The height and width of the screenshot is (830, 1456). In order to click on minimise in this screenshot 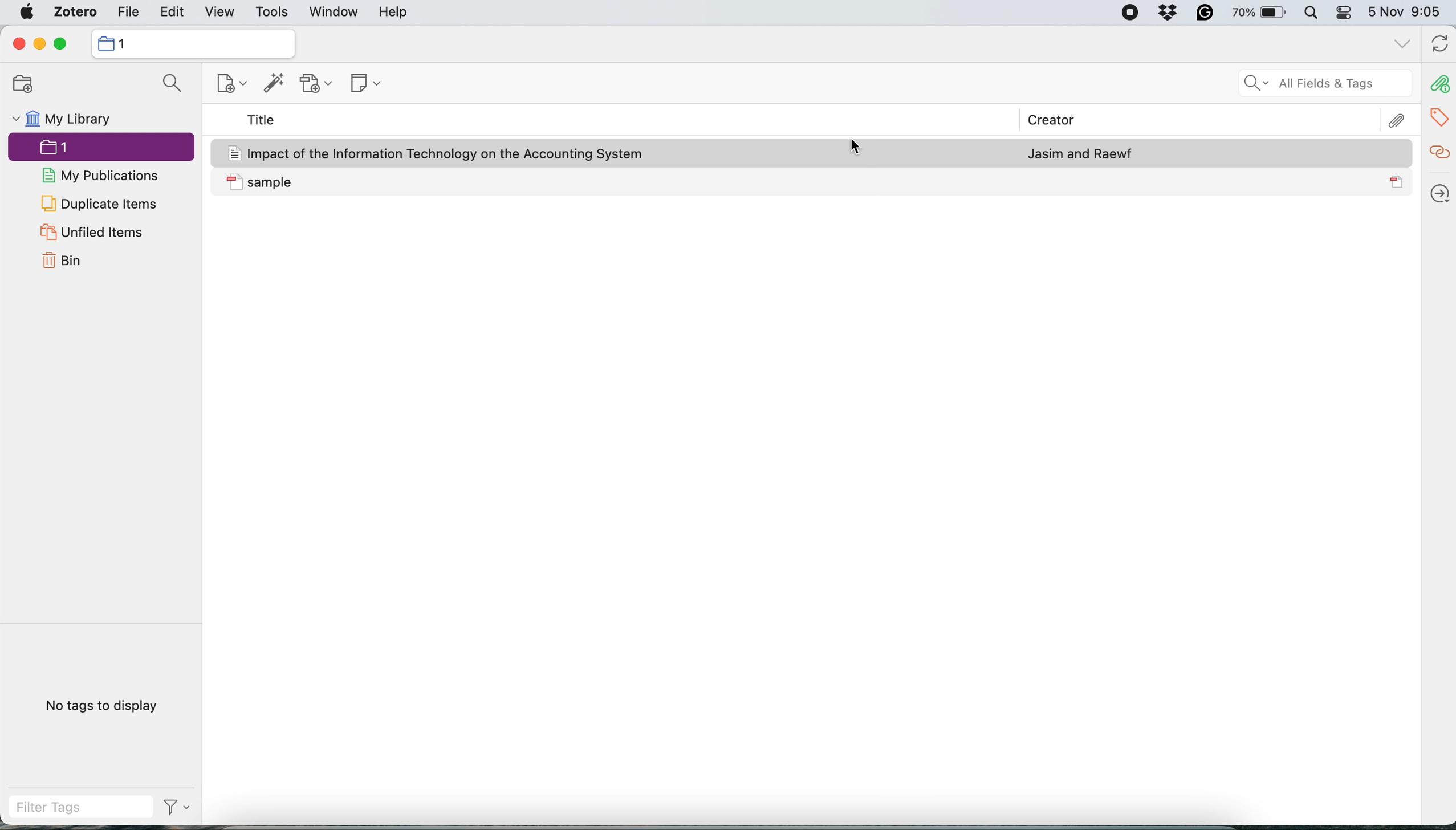, I will do `click(39, 44)`.